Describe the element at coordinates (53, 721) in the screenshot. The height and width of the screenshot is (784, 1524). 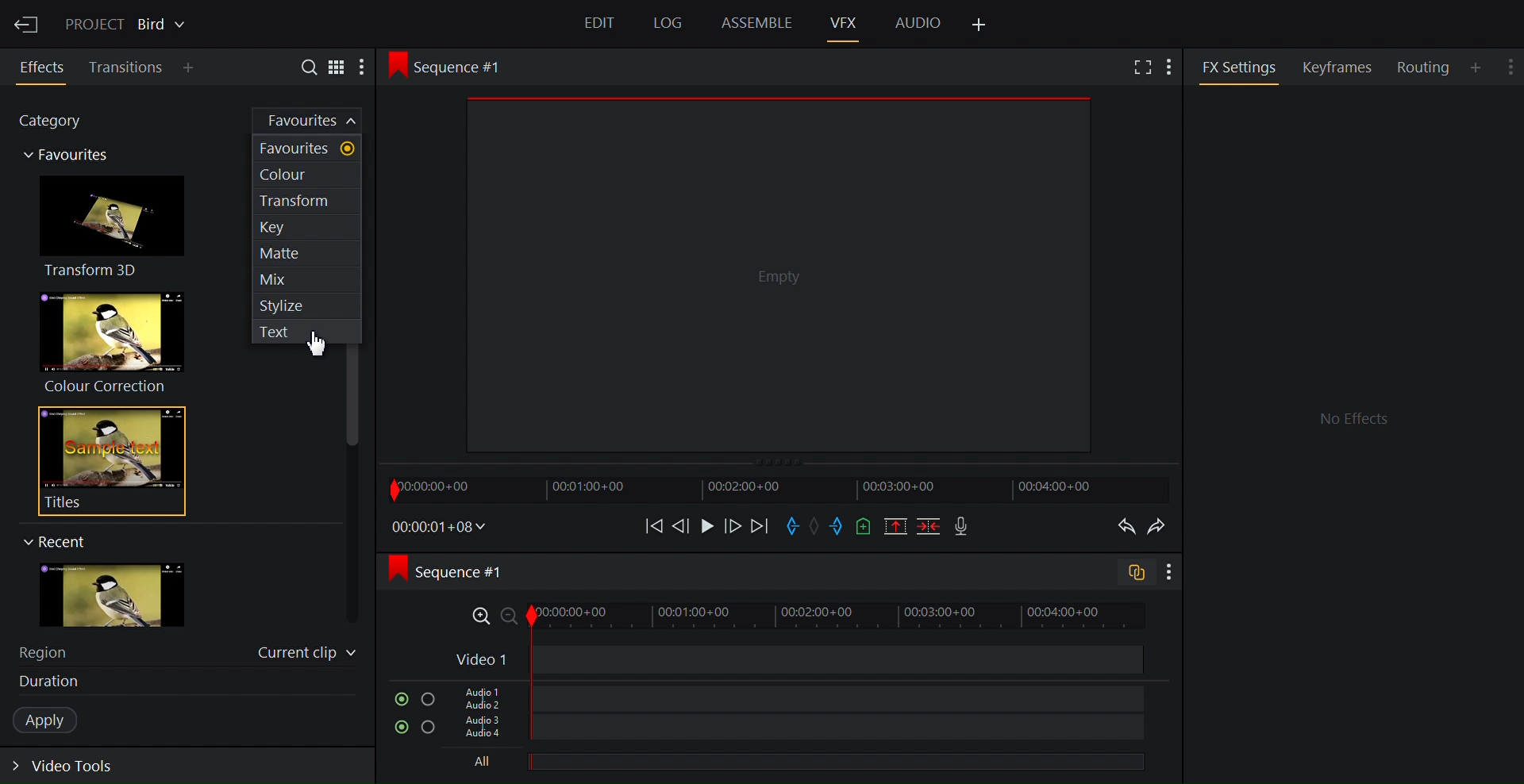
I see `Apply` at that location.